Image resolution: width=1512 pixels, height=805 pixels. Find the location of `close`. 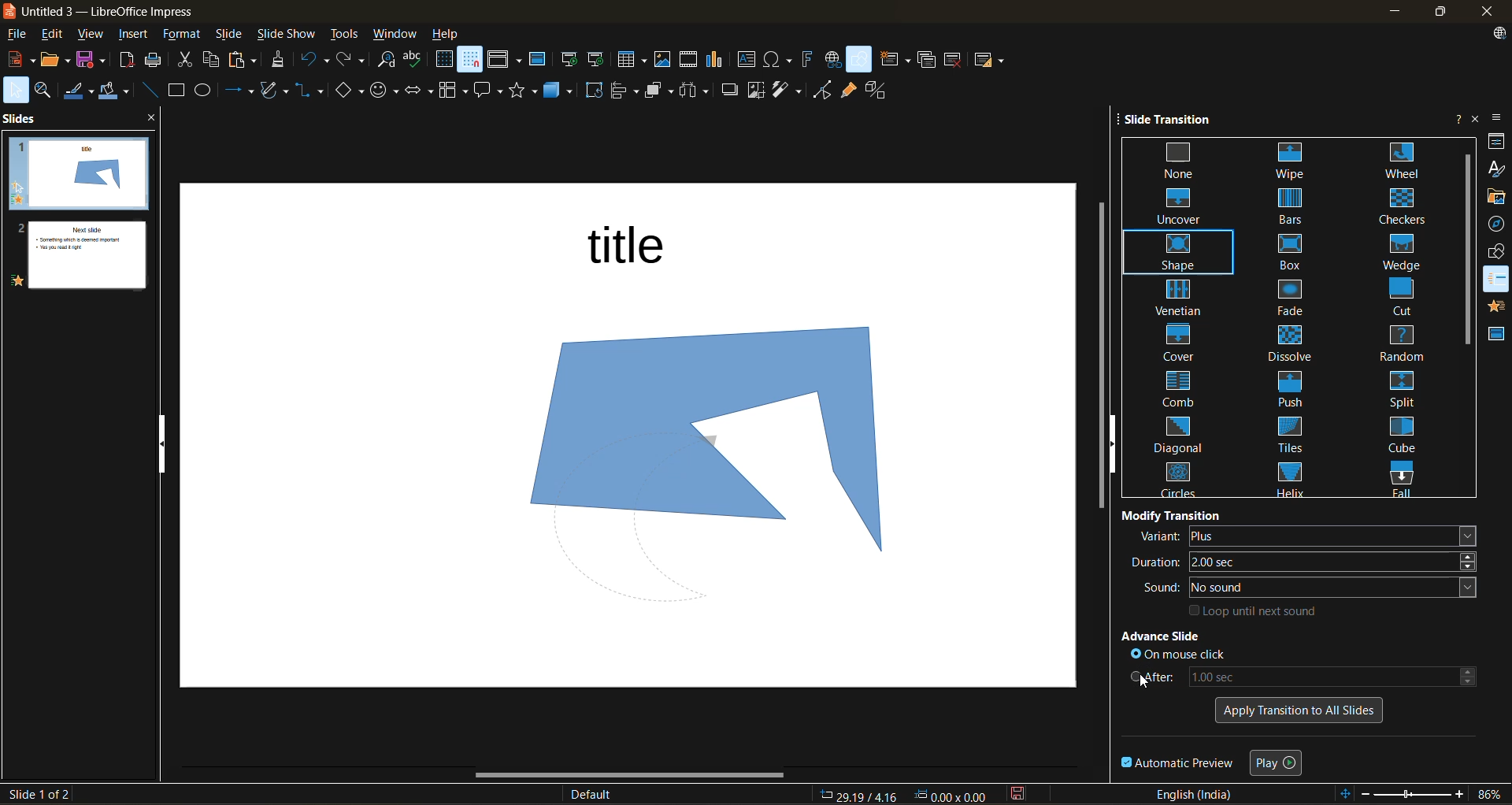

close is located at coordinates (1489, 11).